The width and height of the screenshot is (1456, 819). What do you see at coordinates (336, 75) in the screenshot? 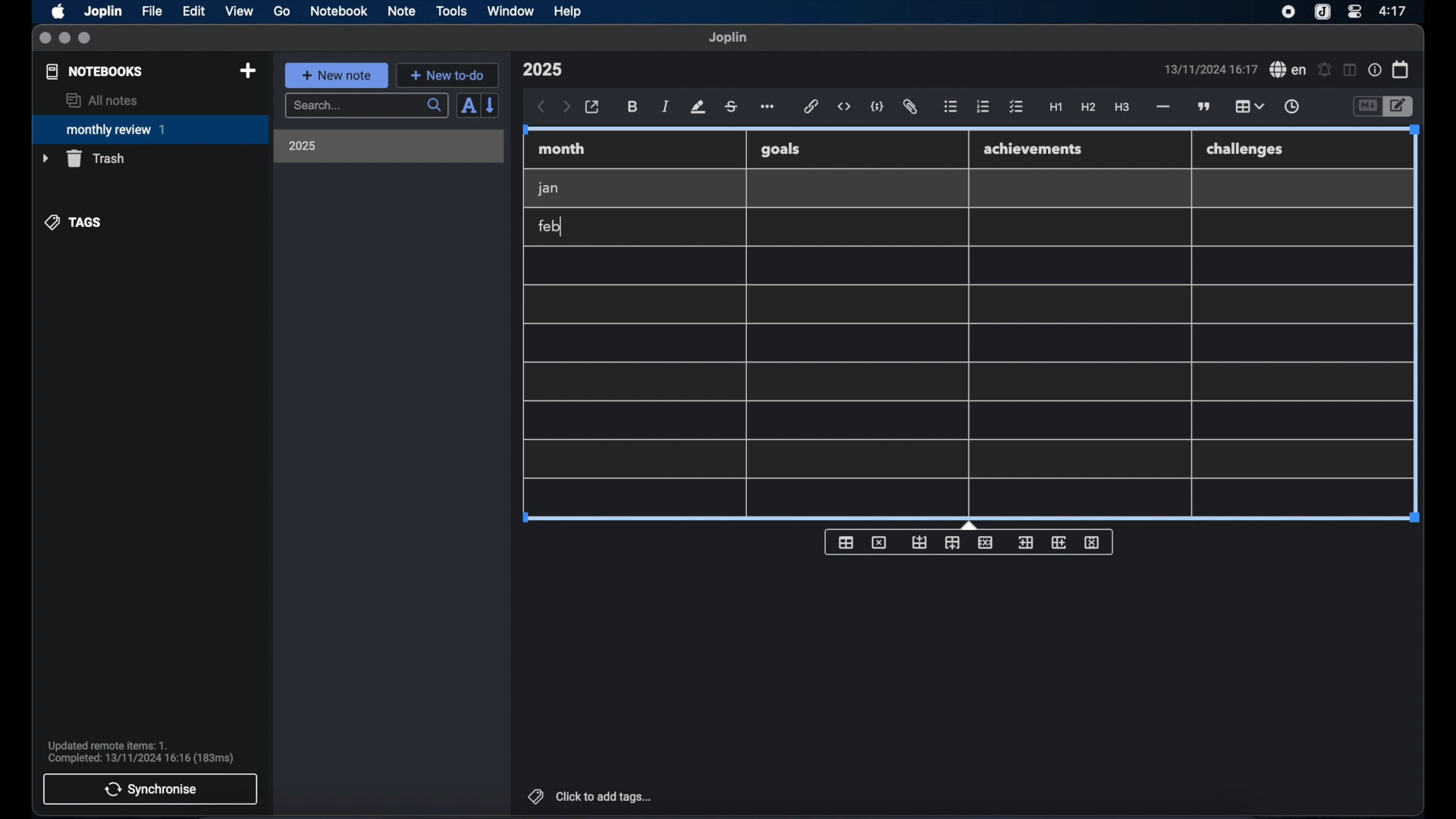
I see `new note` at bounding box center [336, 75].